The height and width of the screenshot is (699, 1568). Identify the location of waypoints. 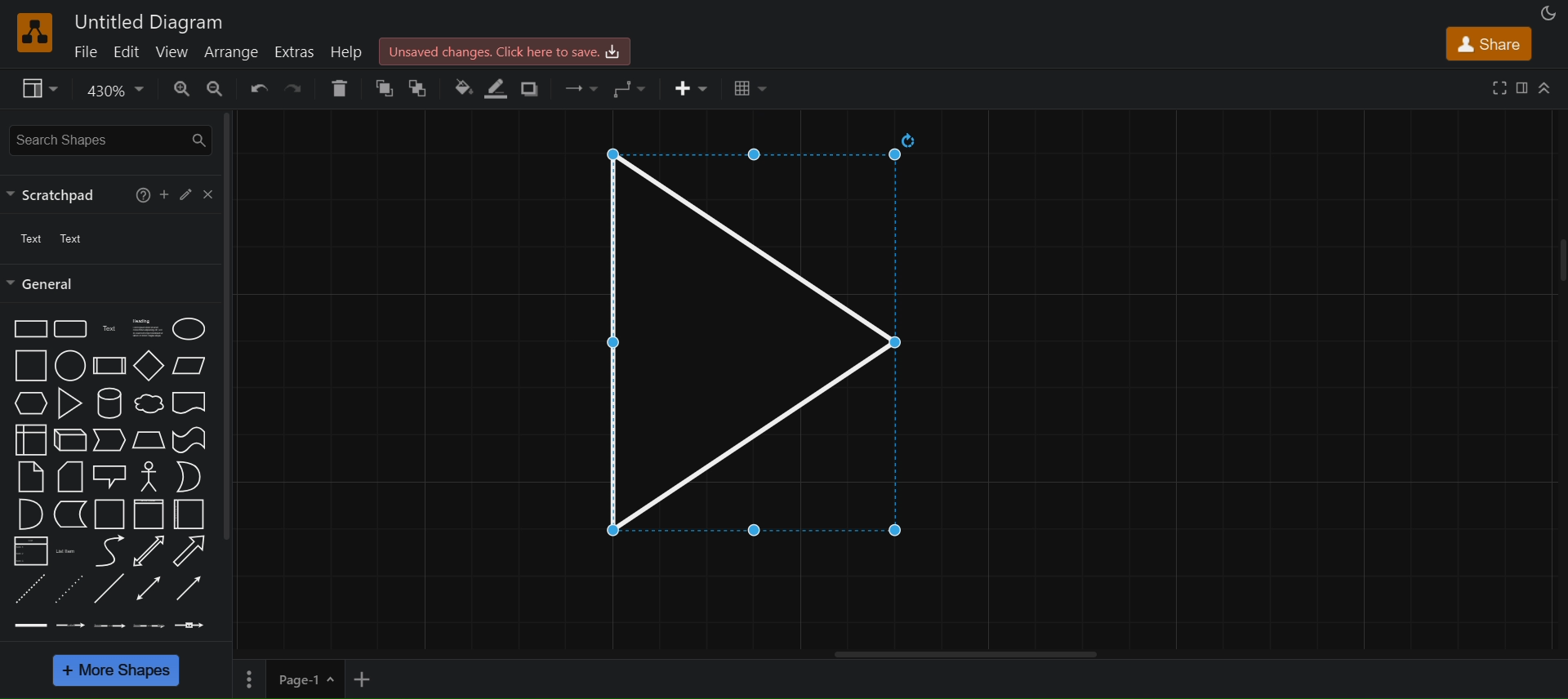
(629, 86).